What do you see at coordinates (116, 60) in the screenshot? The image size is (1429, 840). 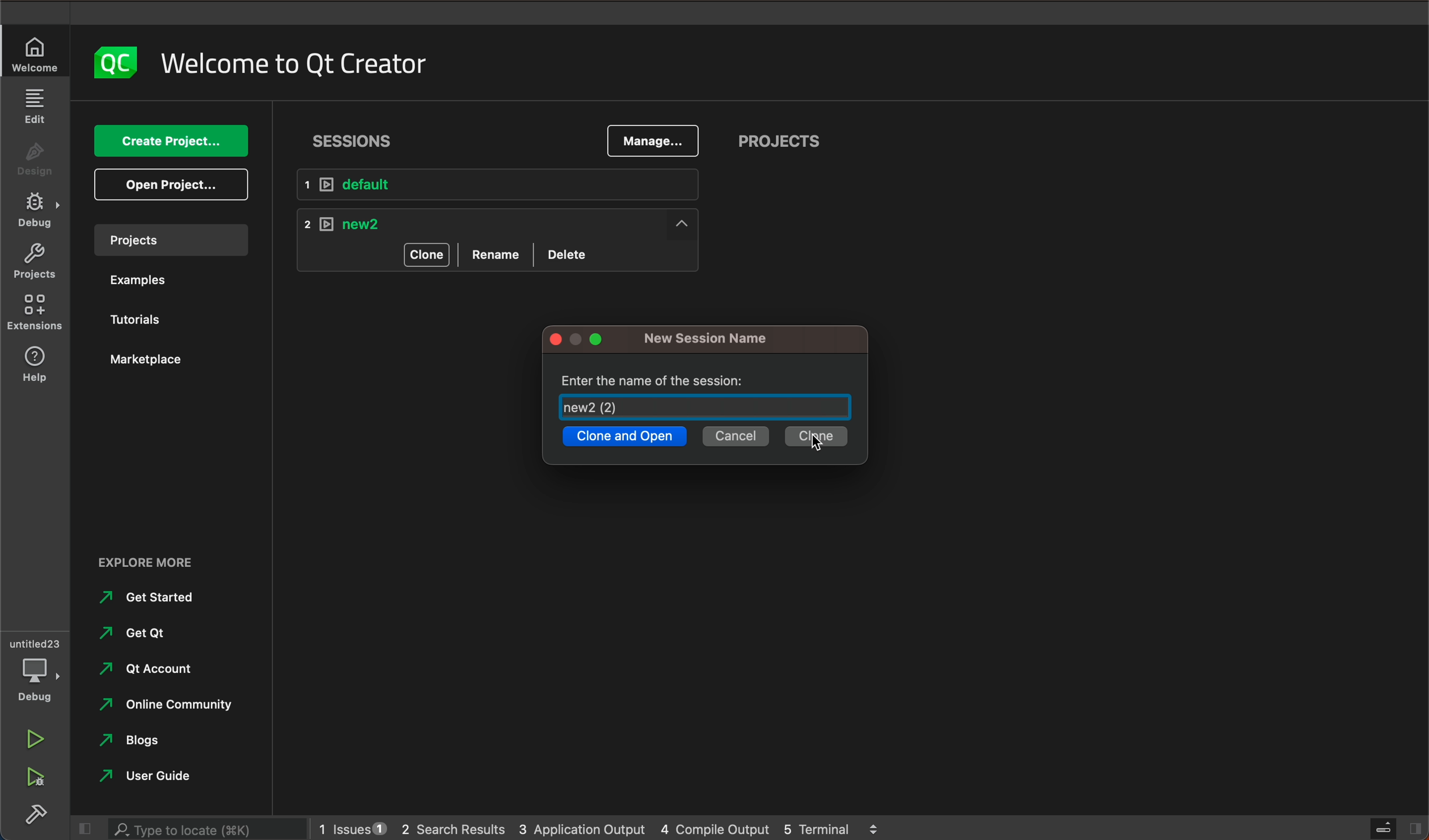 I see `logo` at bounding box center [116, 60].